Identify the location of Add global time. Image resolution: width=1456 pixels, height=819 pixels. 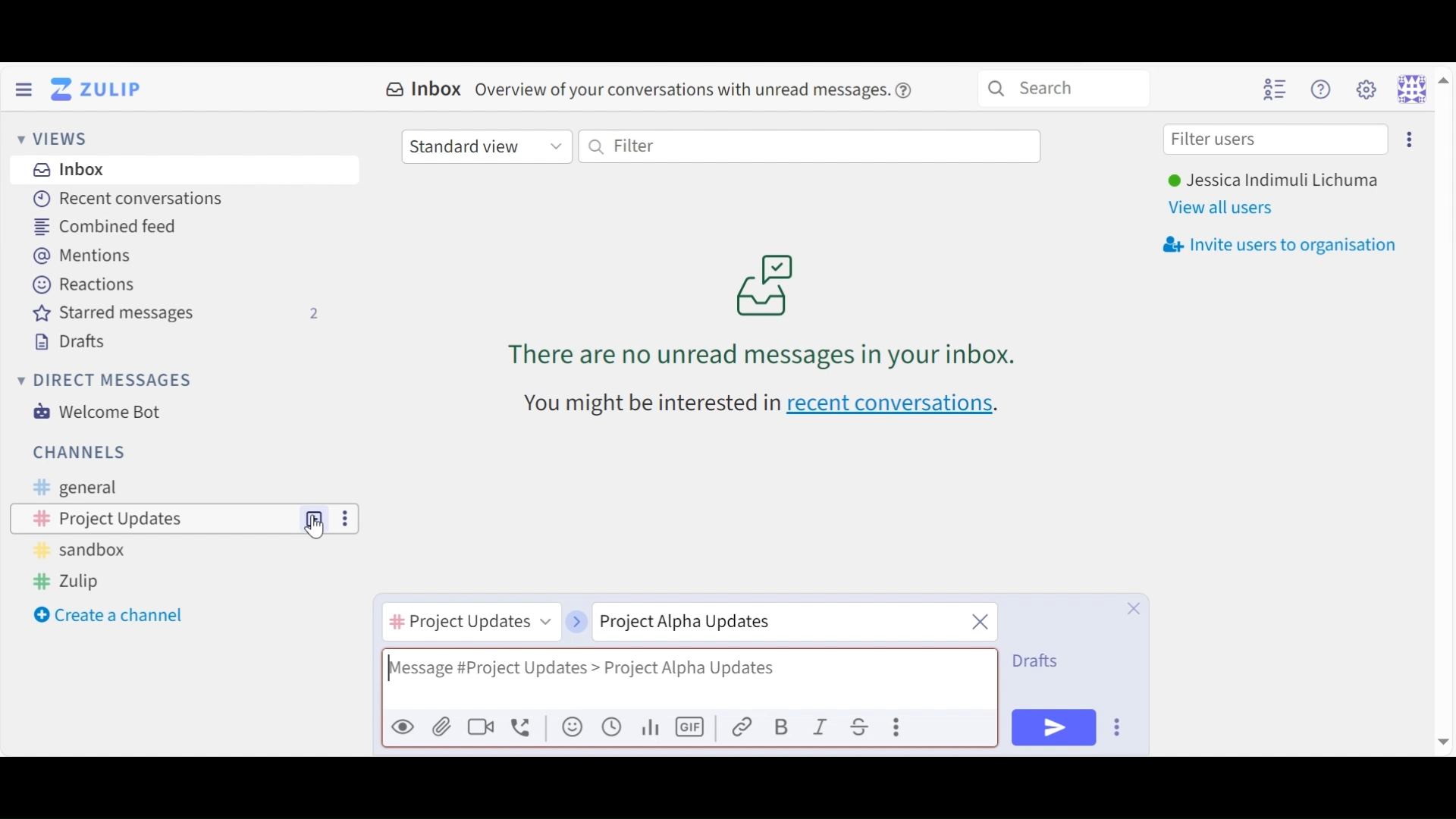
(612, 726).